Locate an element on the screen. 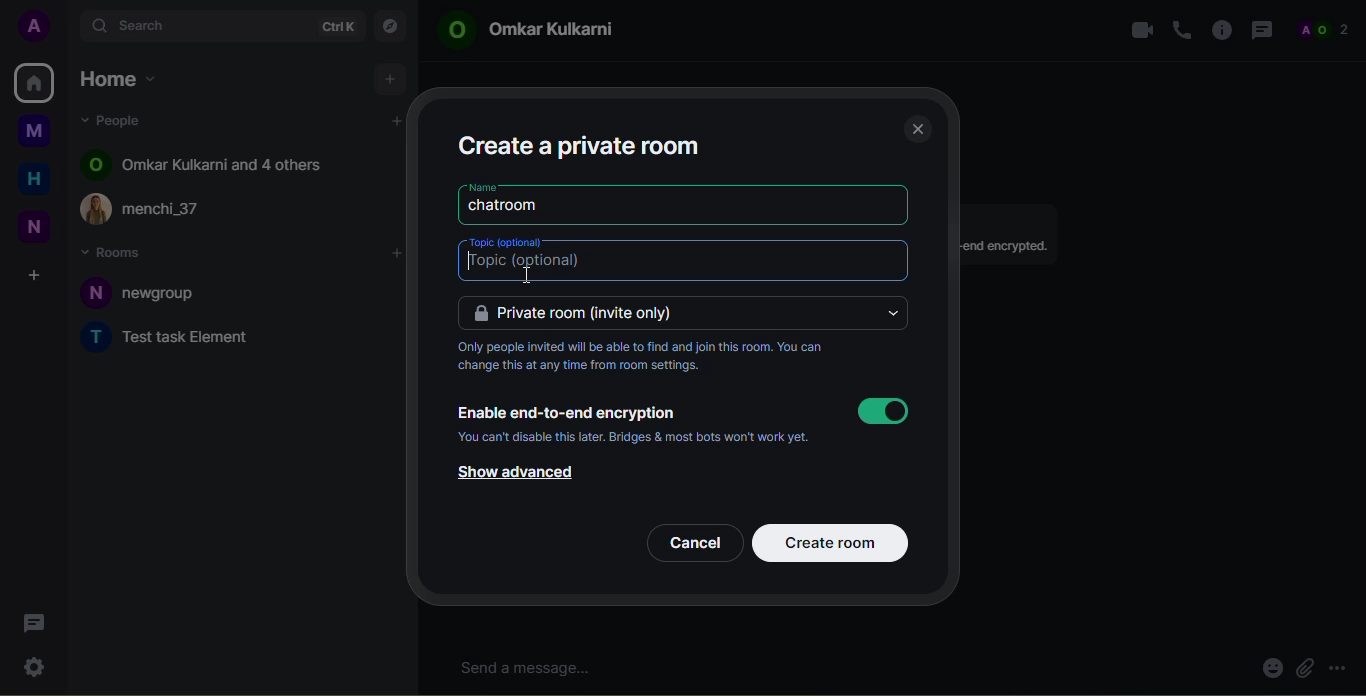 The height and width of the screenshot is (696, 1366). close is located at coordinates (917, 128).